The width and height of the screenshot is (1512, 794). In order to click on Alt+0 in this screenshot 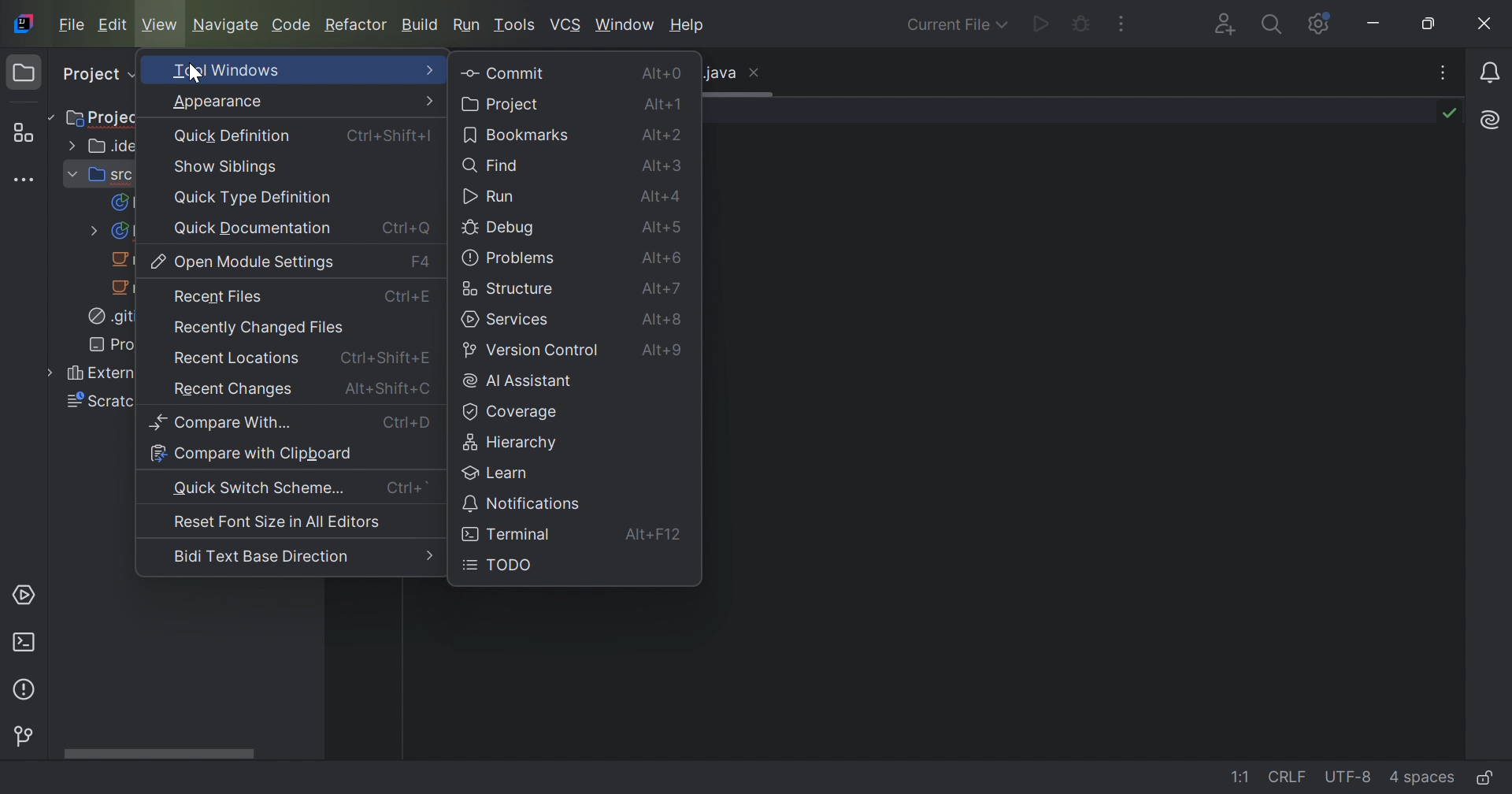, I will do `click(665, 75)`.